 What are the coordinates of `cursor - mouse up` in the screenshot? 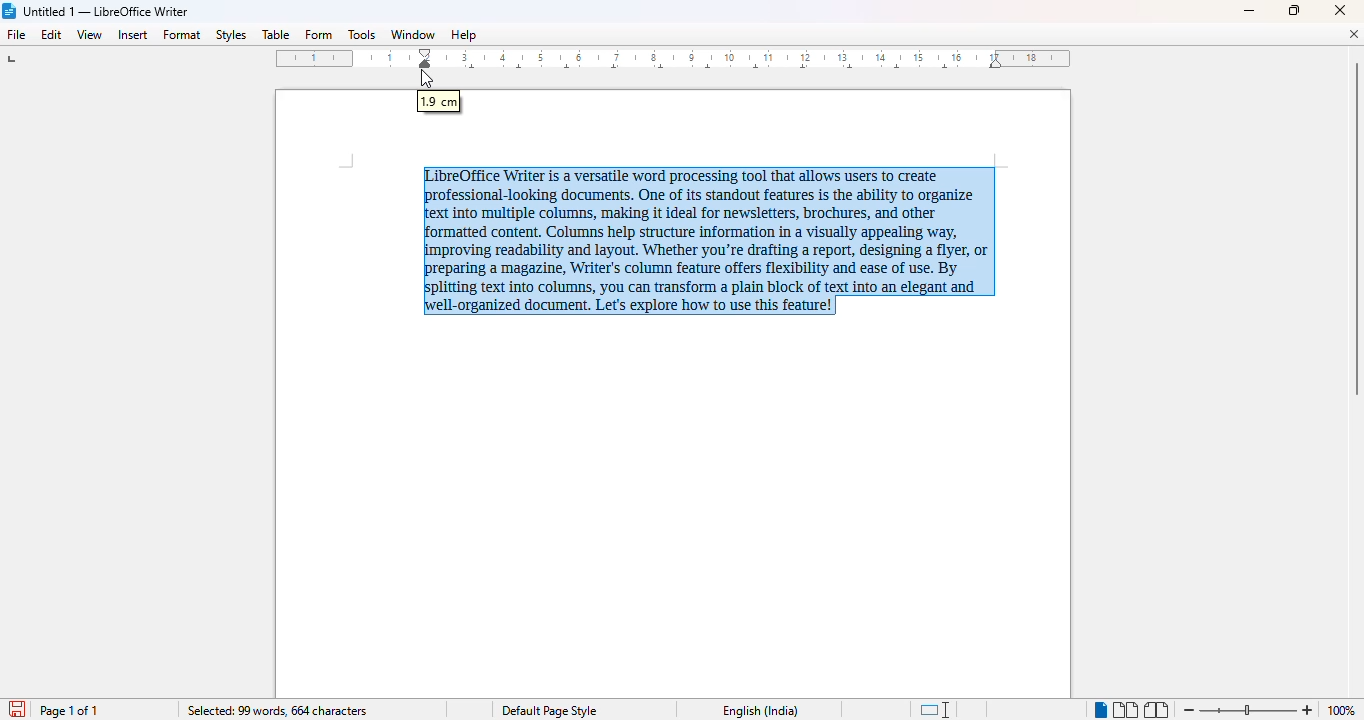 It's located at (427, 79).